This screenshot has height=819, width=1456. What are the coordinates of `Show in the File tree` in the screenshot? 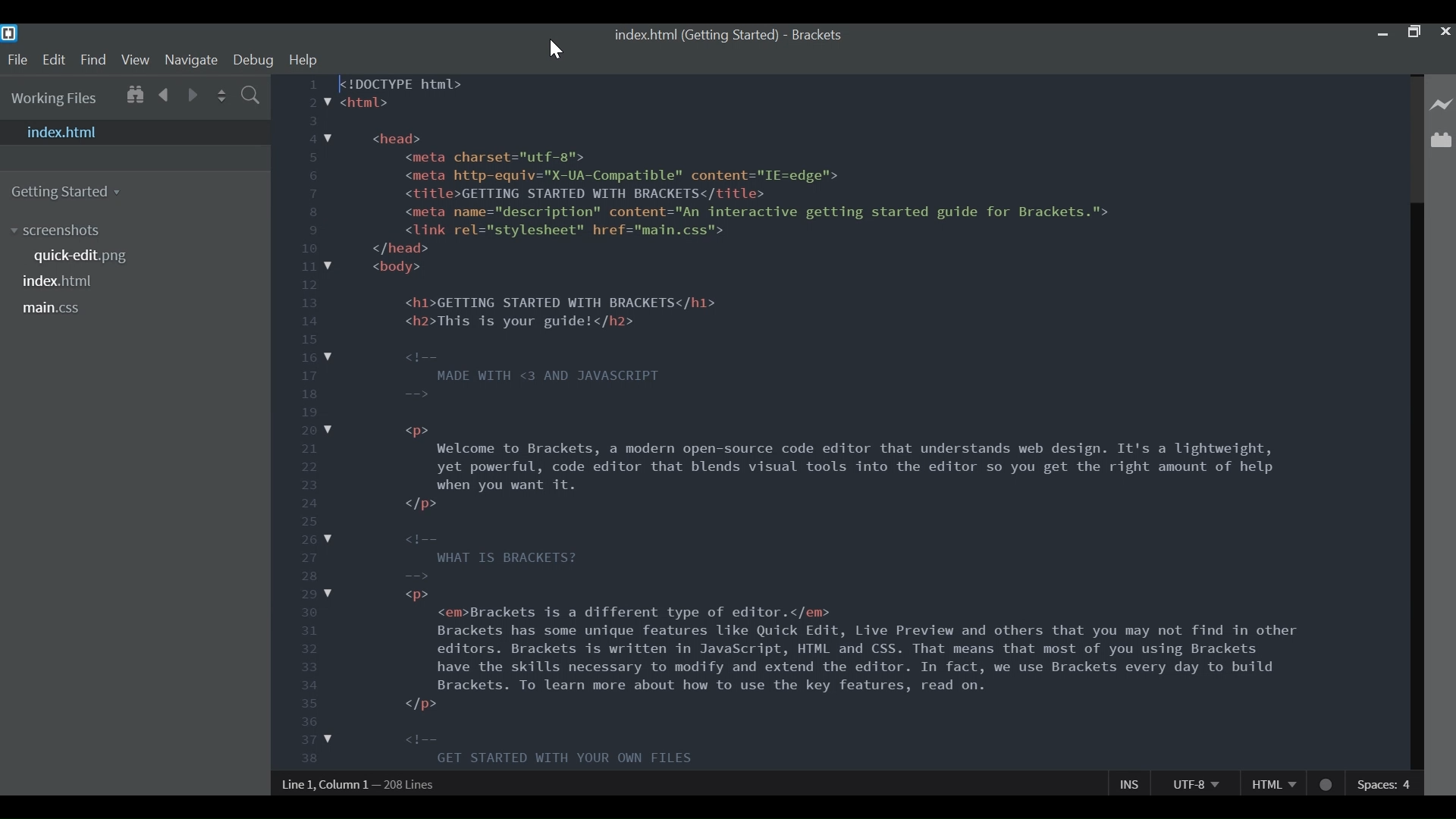 It's located at (134, 96).